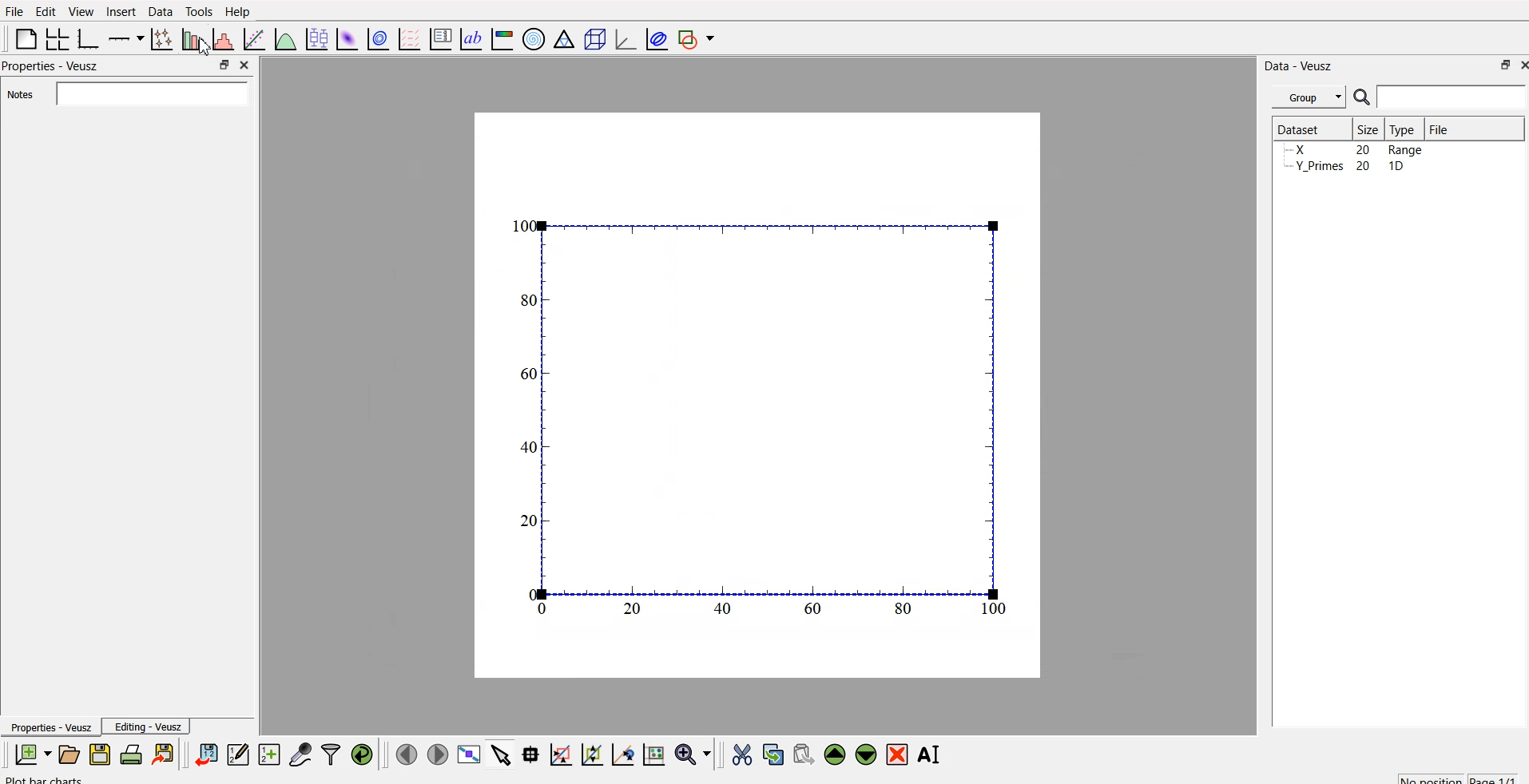  What do you see at coordinates (1298, 128) in the screenshot?
I see `| Dataset` at bounding box center [1298, 128].